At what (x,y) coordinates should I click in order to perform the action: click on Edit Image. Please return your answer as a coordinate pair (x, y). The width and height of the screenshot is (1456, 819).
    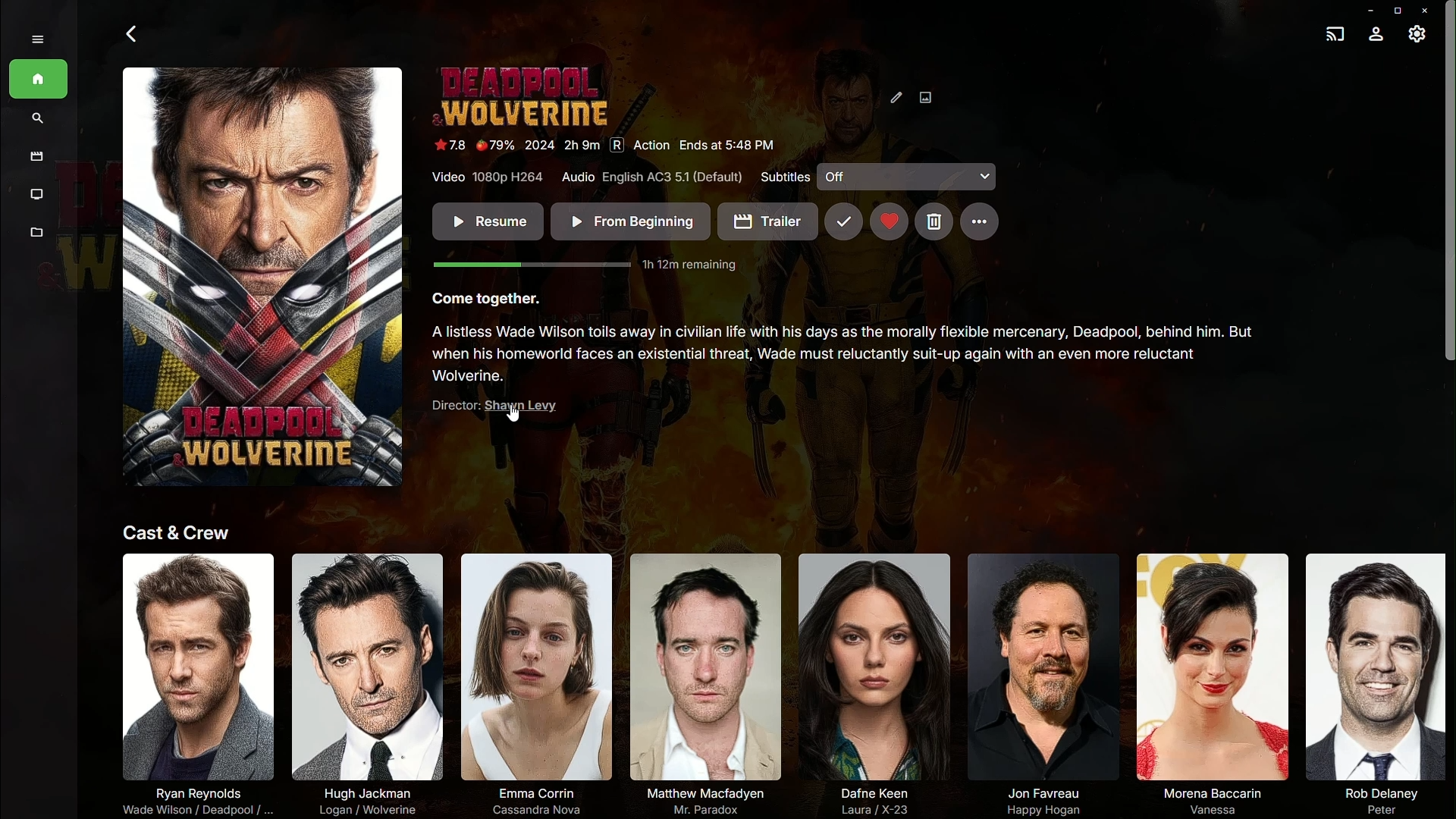
    Looking at the image, I should click on (912, 92).